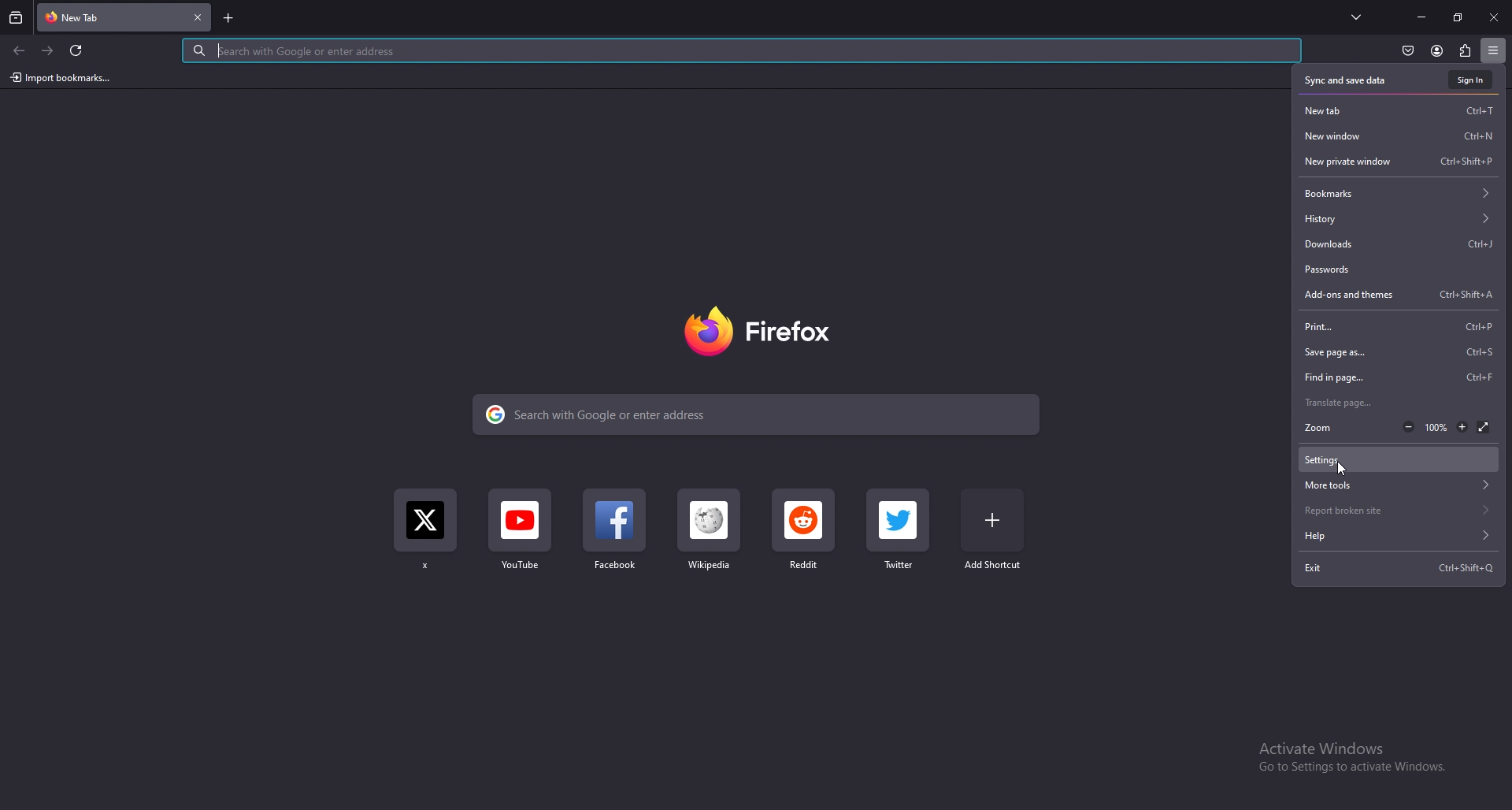 The height and width of the screenshot is (810, 1512). Describe the element at coordinates (1484, 426) in the screenshot. I see `fit to screen` at that location.